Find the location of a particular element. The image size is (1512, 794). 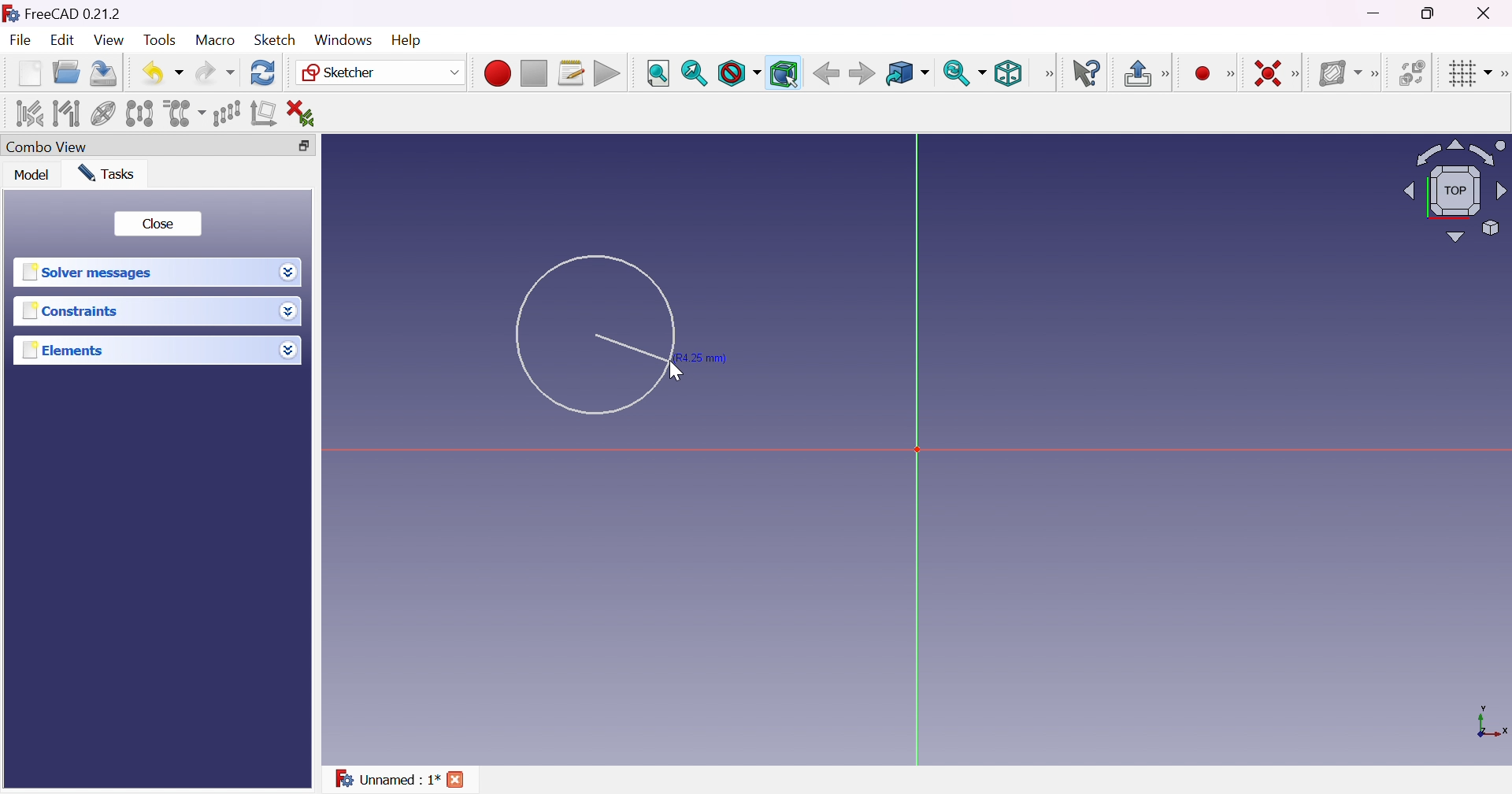

Cursor is located at coordinates (678, 373).